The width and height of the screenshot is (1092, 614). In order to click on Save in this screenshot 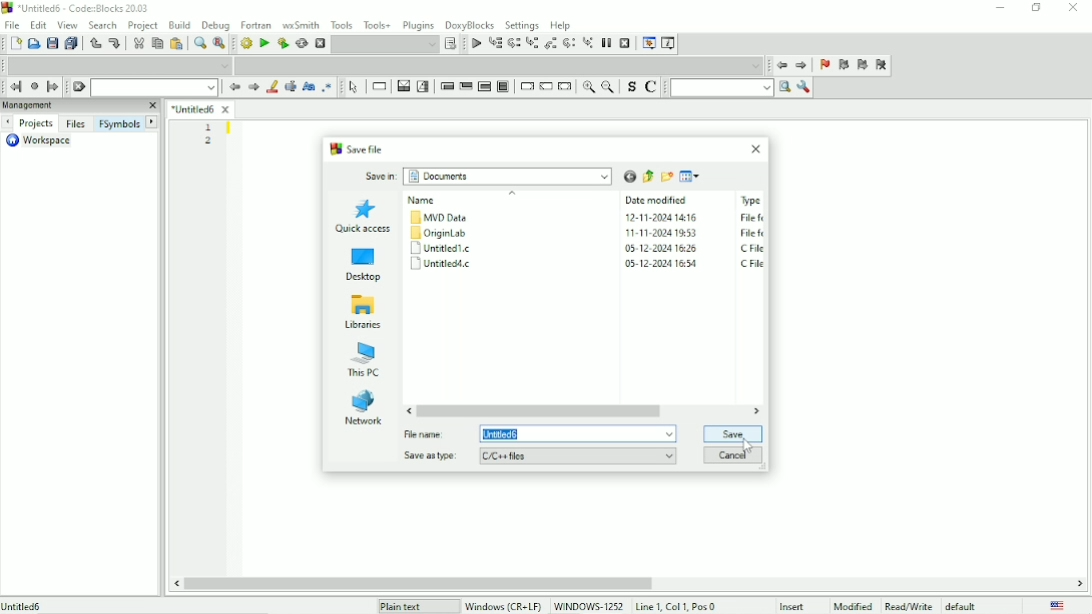, I will do `click(52, 43)`.